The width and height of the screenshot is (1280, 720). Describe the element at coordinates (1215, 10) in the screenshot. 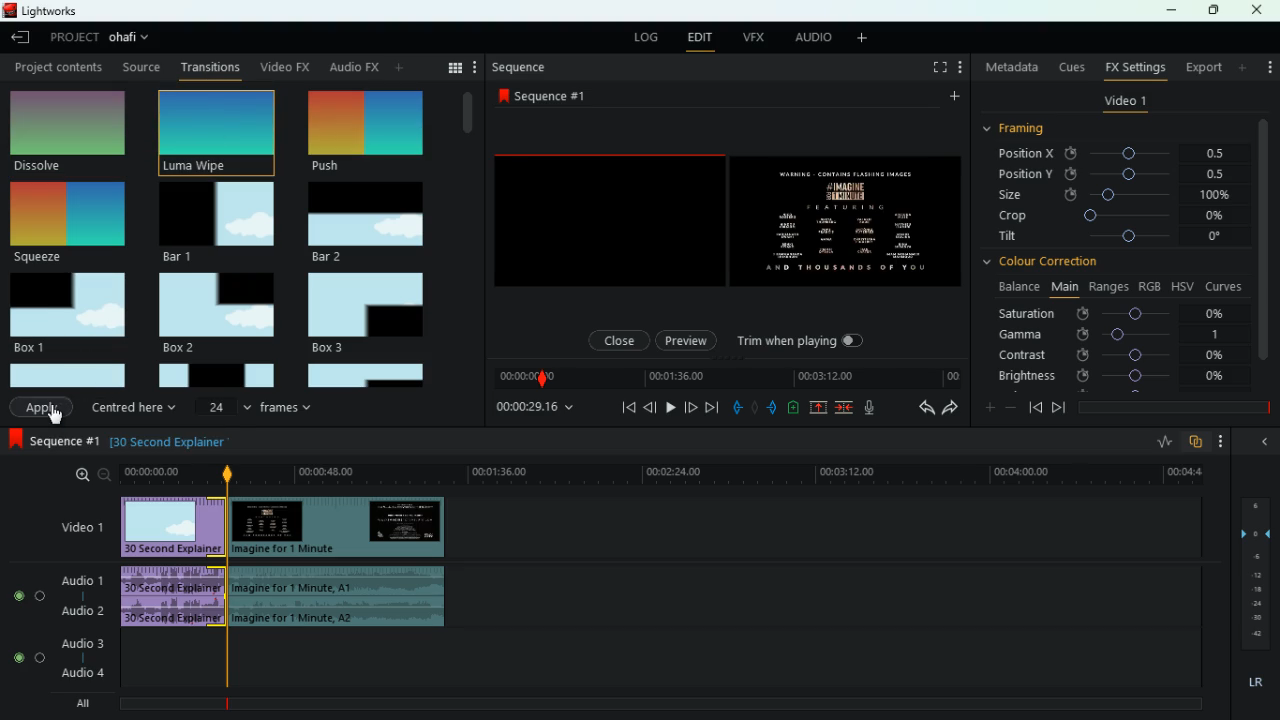

I see `maximize` at that location.